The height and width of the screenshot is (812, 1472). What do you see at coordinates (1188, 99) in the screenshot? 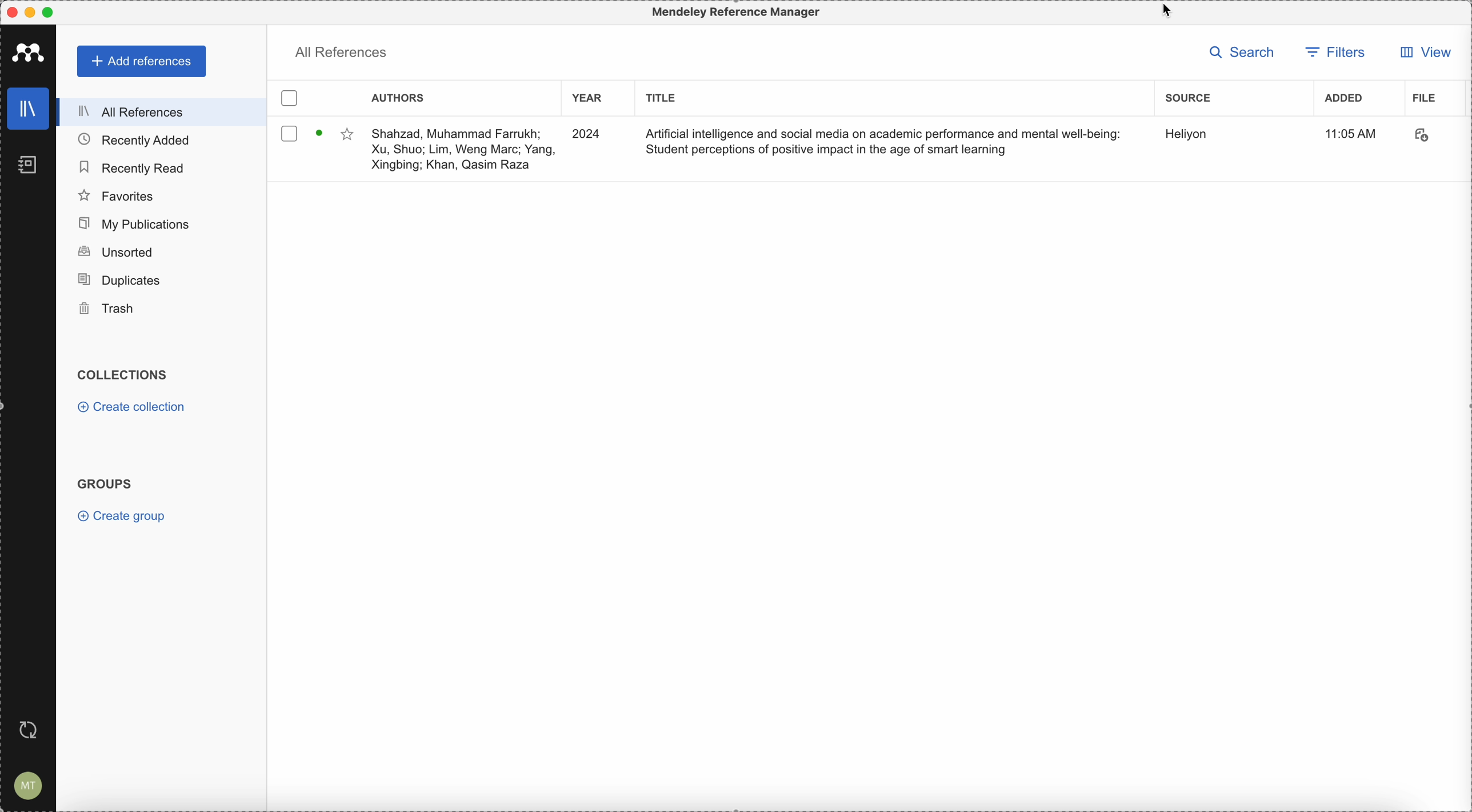
I see `source` at bounding box center [1188, 99].